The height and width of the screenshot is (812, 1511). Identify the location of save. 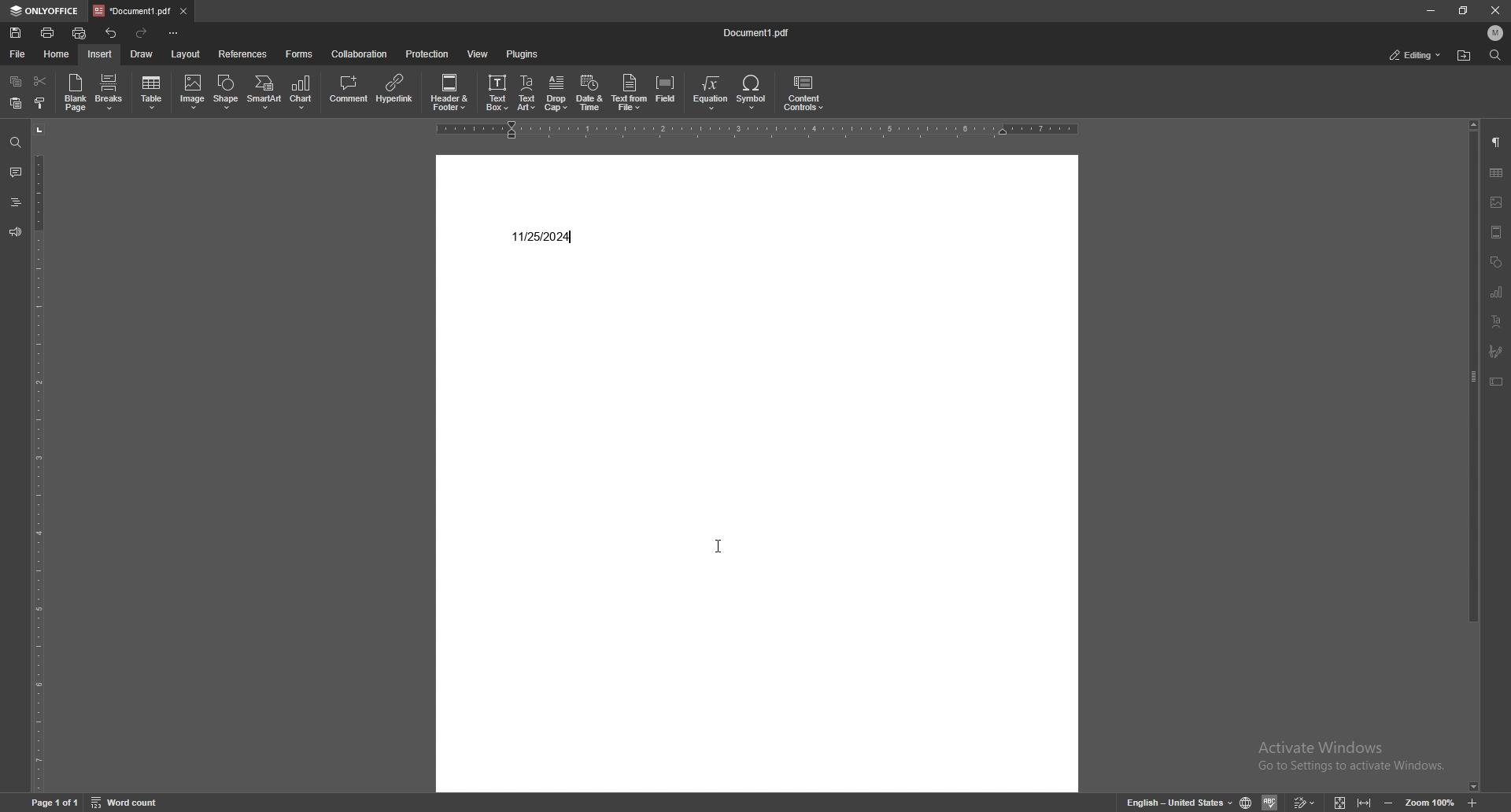
(16, 33).